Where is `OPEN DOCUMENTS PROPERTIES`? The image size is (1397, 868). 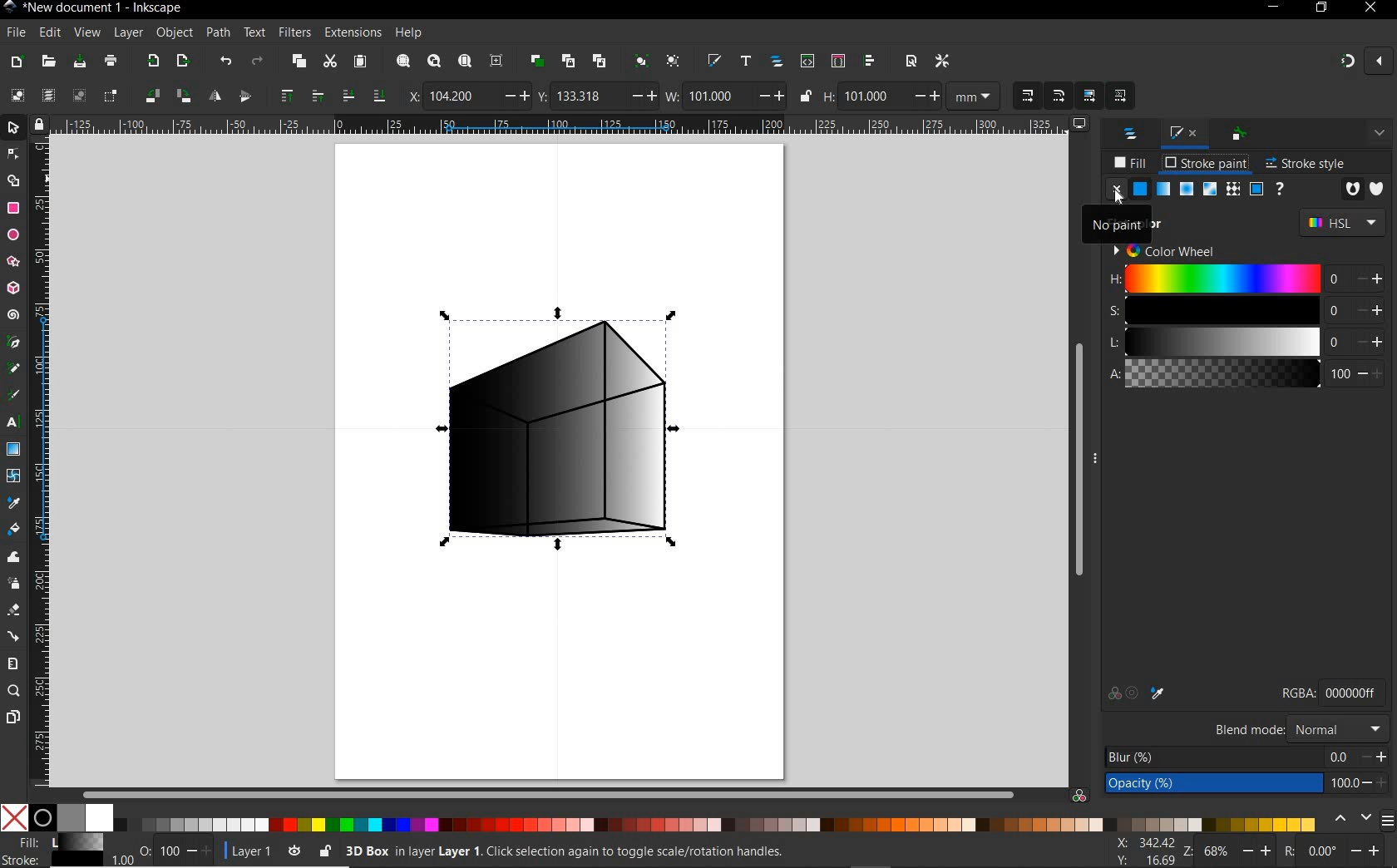 OPEN DOCUMENTS PROPERTIES is located at coordinates (911, 62).